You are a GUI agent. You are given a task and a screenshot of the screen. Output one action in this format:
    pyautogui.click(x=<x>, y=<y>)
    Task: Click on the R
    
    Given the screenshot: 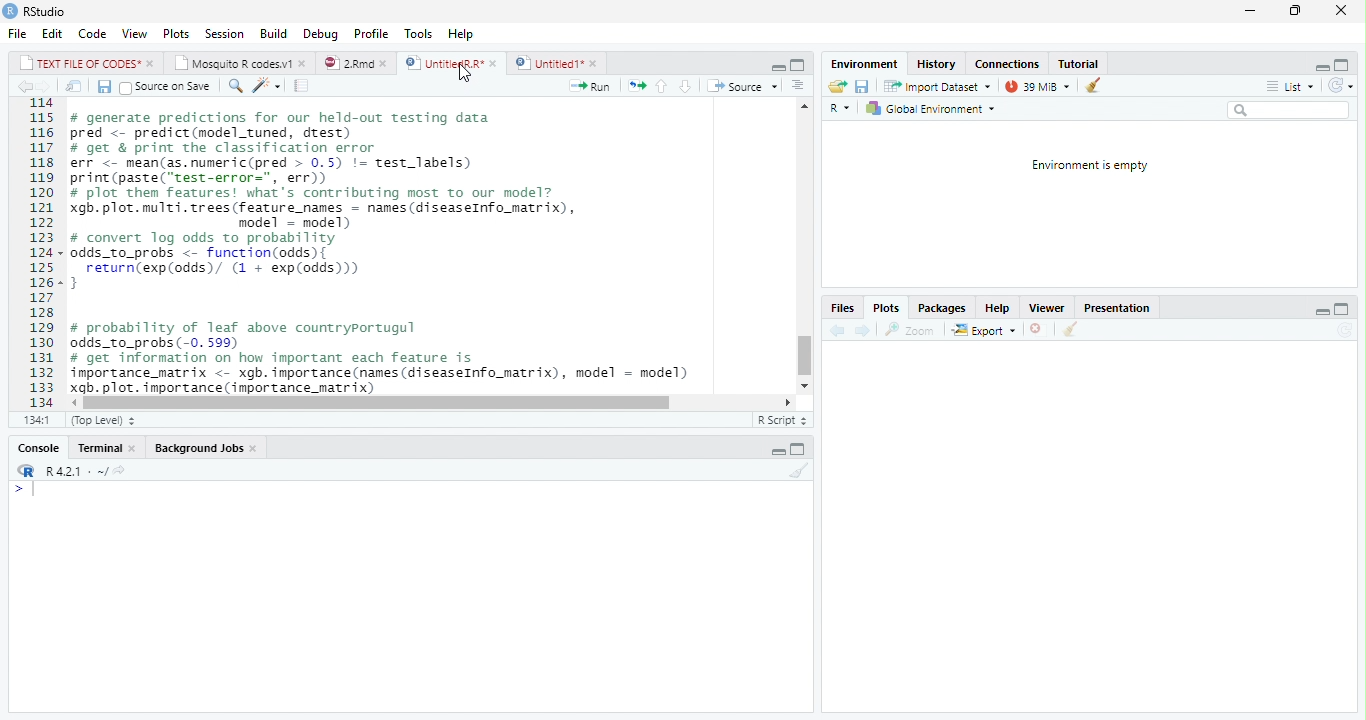 What is the action you would take?
    pyautogui.click(x=840, y=106)
    